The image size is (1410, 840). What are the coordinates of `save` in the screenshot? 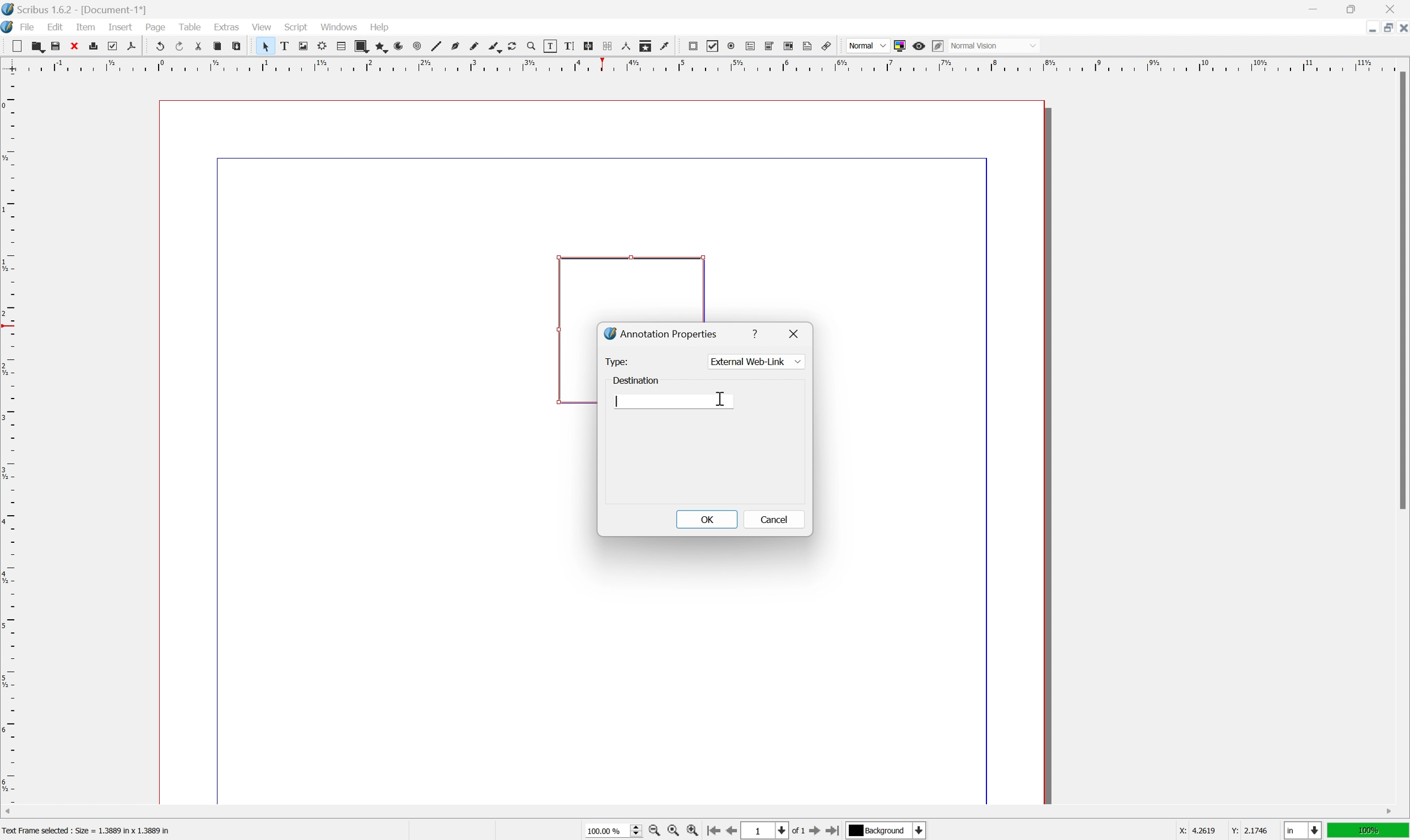 It's located at (56, 46).